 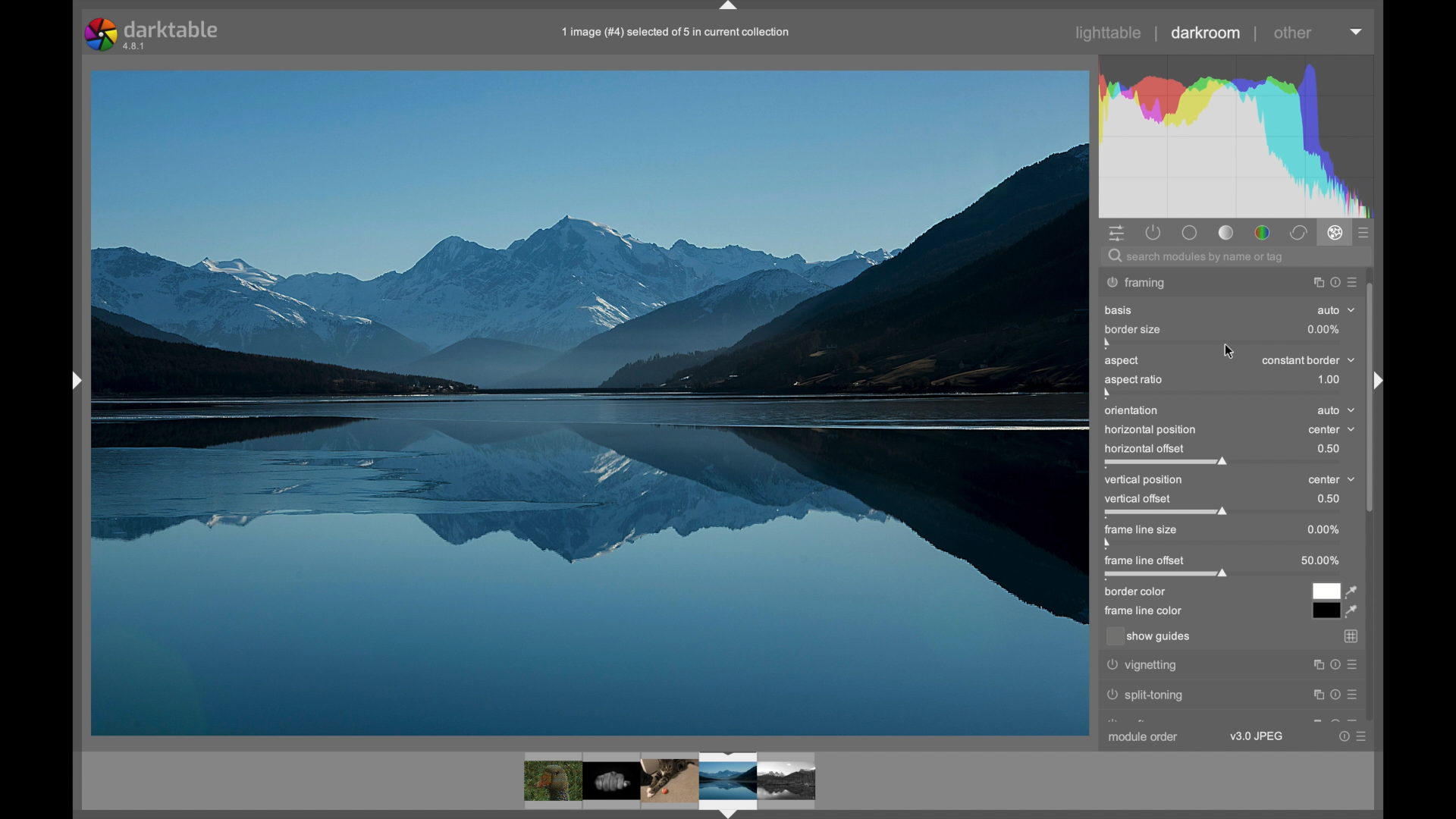 What do you see at coordinates (1330, 381) in the screenshot?
I see `1.0` at bounding box center [1330, 381].